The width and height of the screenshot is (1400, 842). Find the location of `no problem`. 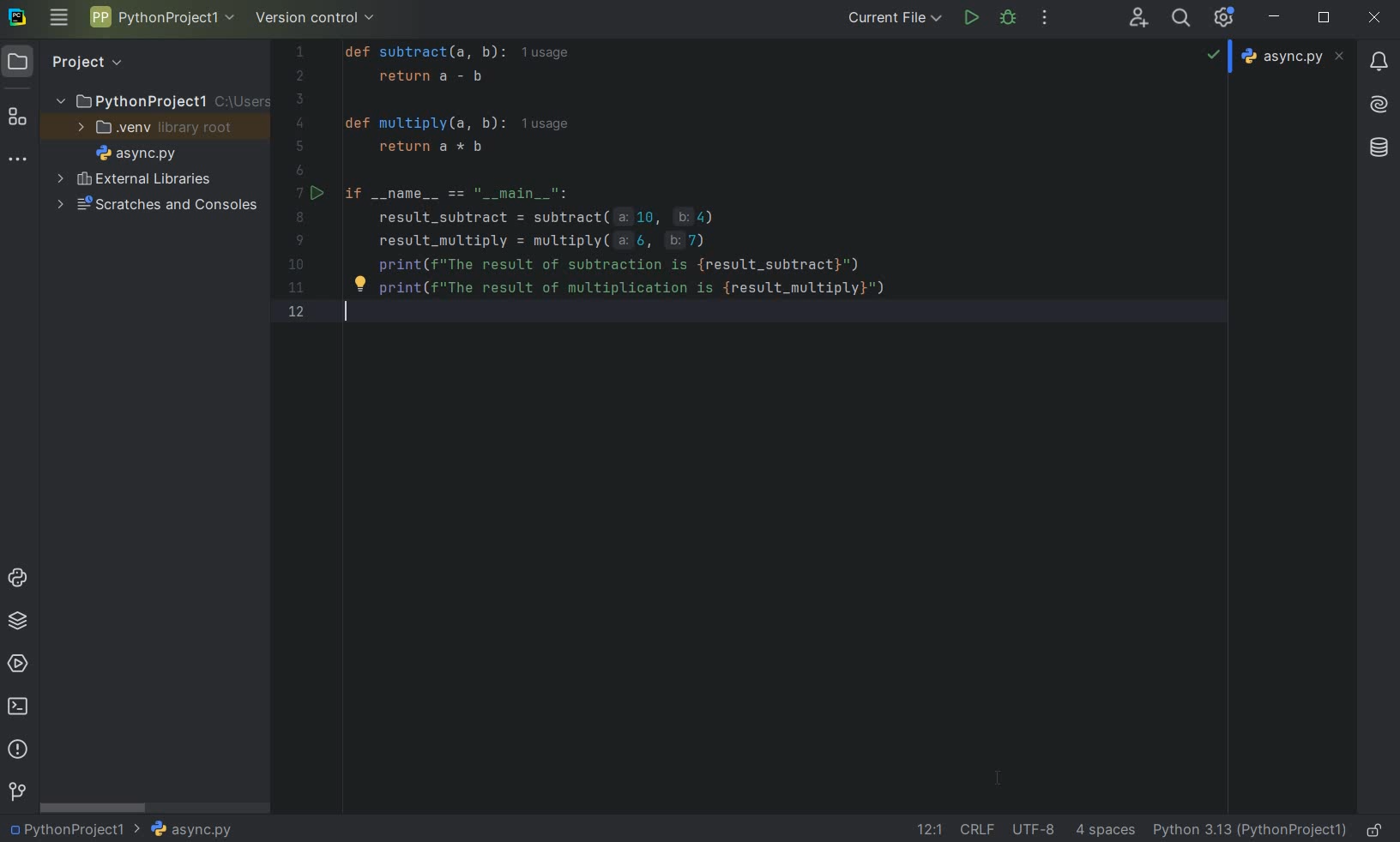

no problem is located at coordinates (1213, 53).